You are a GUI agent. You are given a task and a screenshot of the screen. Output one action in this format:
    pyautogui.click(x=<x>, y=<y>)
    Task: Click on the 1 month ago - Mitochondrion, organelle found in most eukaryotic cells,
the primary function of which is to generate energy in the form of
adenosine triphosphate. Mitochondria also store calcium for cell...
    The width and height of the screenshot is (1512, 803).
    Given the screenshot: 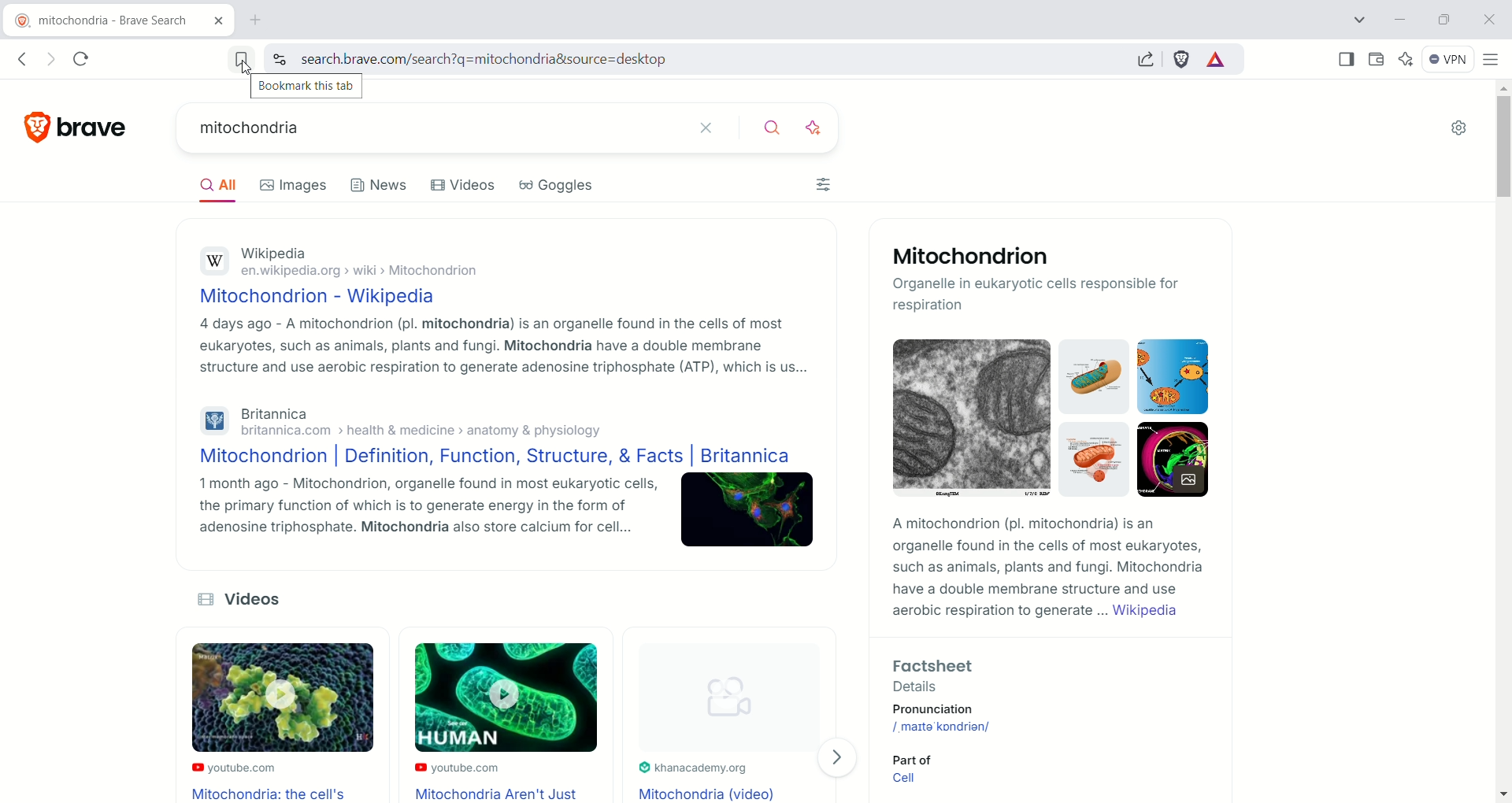 What is the action you would take?
    pyautogui.click(x=413, y=511)
    